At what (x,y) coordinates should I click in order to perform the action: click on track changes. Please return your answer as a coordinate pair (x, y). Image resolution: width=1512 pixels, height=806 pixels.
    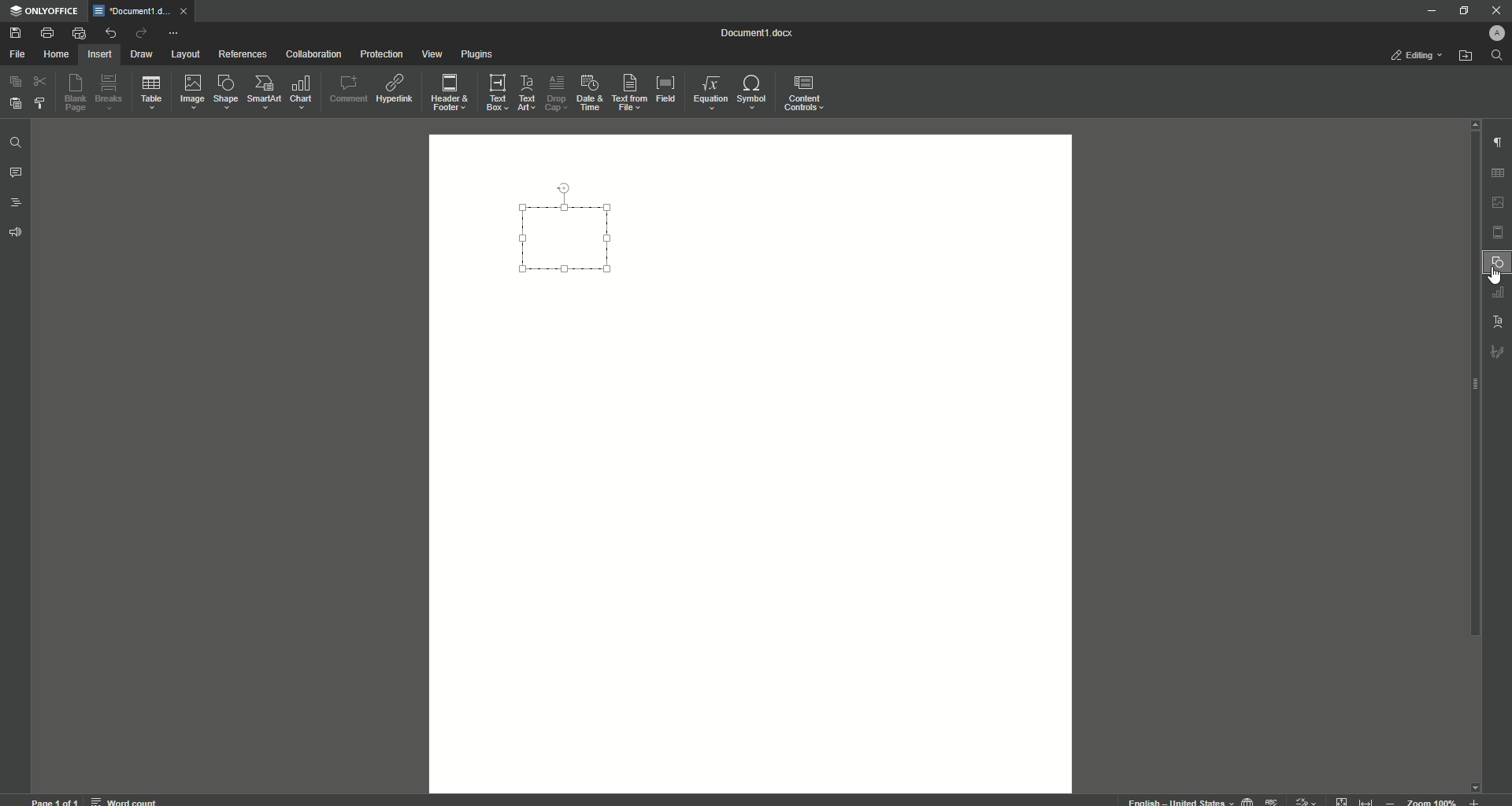
    Looking at the image, I should click on (1306, 800).